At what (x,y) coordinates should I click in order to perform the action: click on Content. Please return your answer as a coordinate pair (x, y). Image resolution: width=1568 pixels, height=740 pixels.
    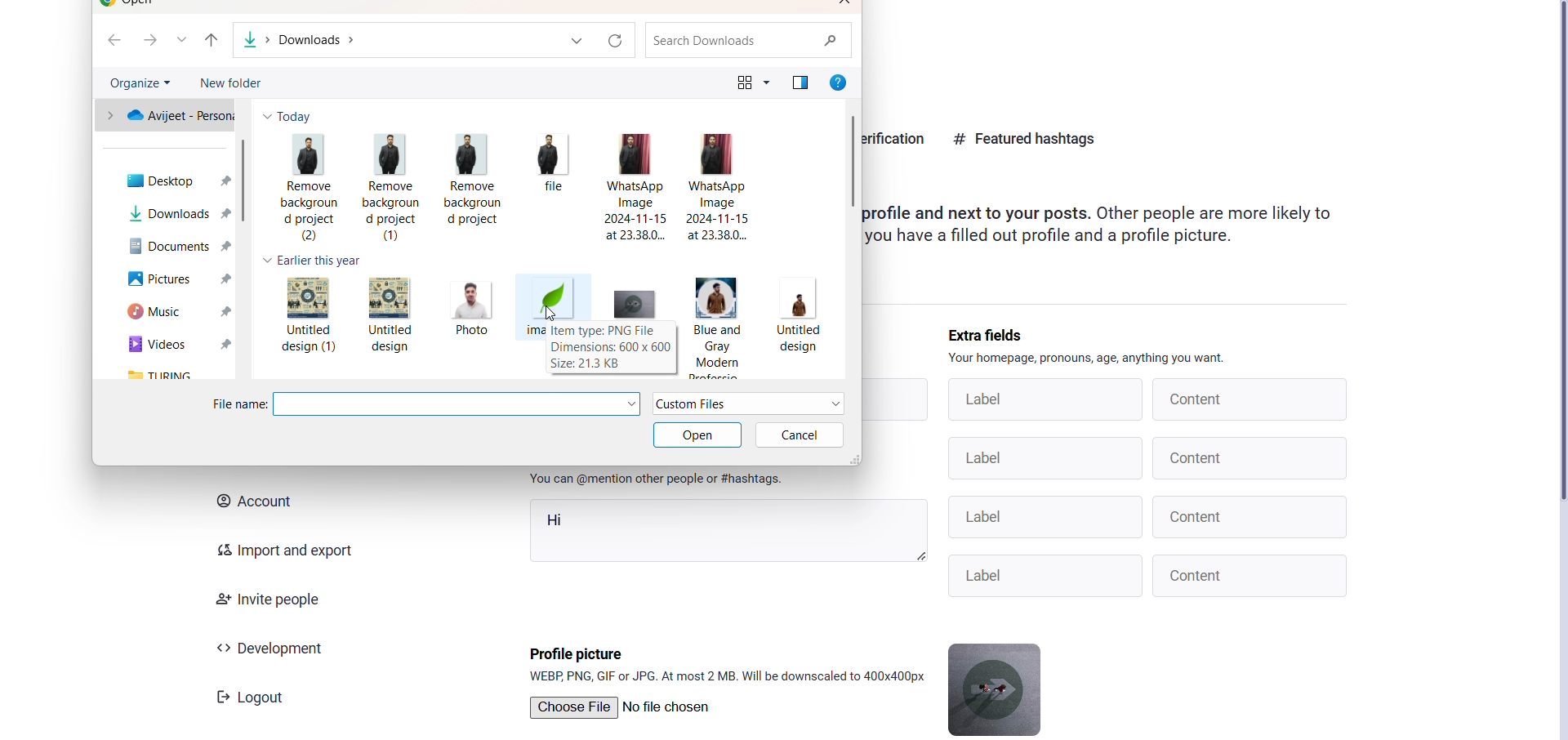
    Looking at the image, I should click on (1251, 457).